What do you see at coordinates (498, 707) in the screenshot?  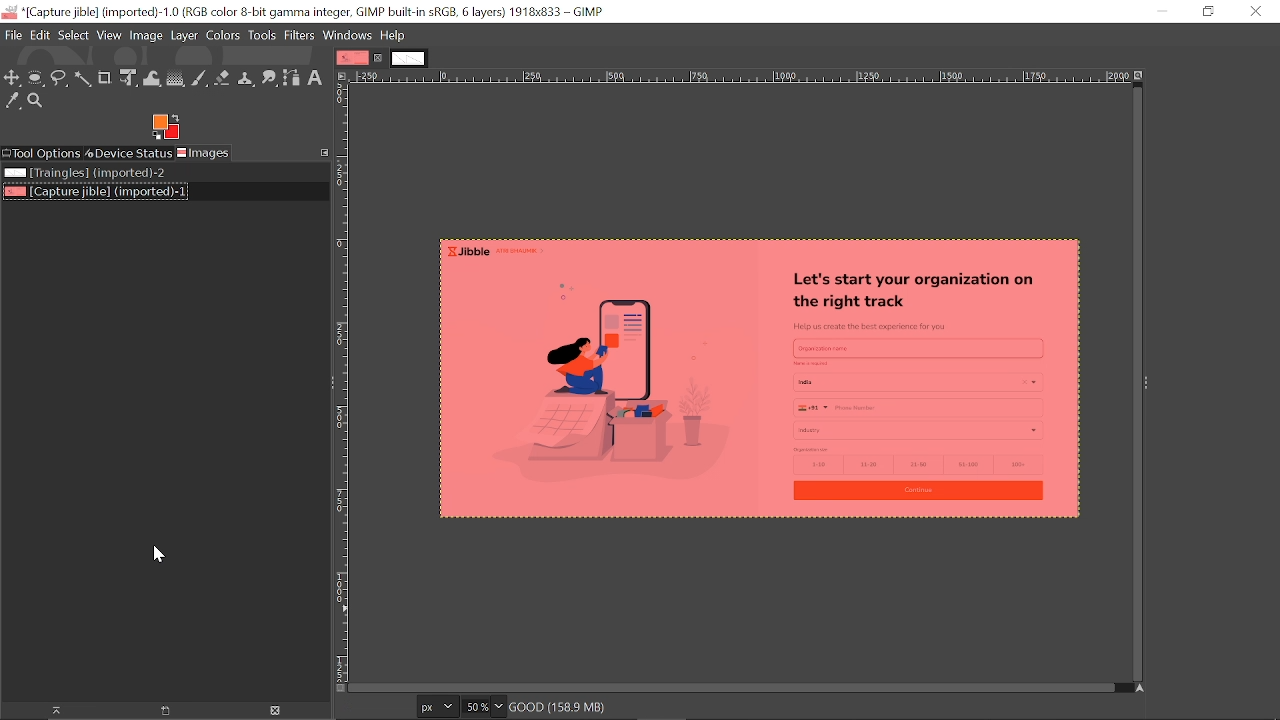 I see `Zoom options` at bounding box center [498, 707].